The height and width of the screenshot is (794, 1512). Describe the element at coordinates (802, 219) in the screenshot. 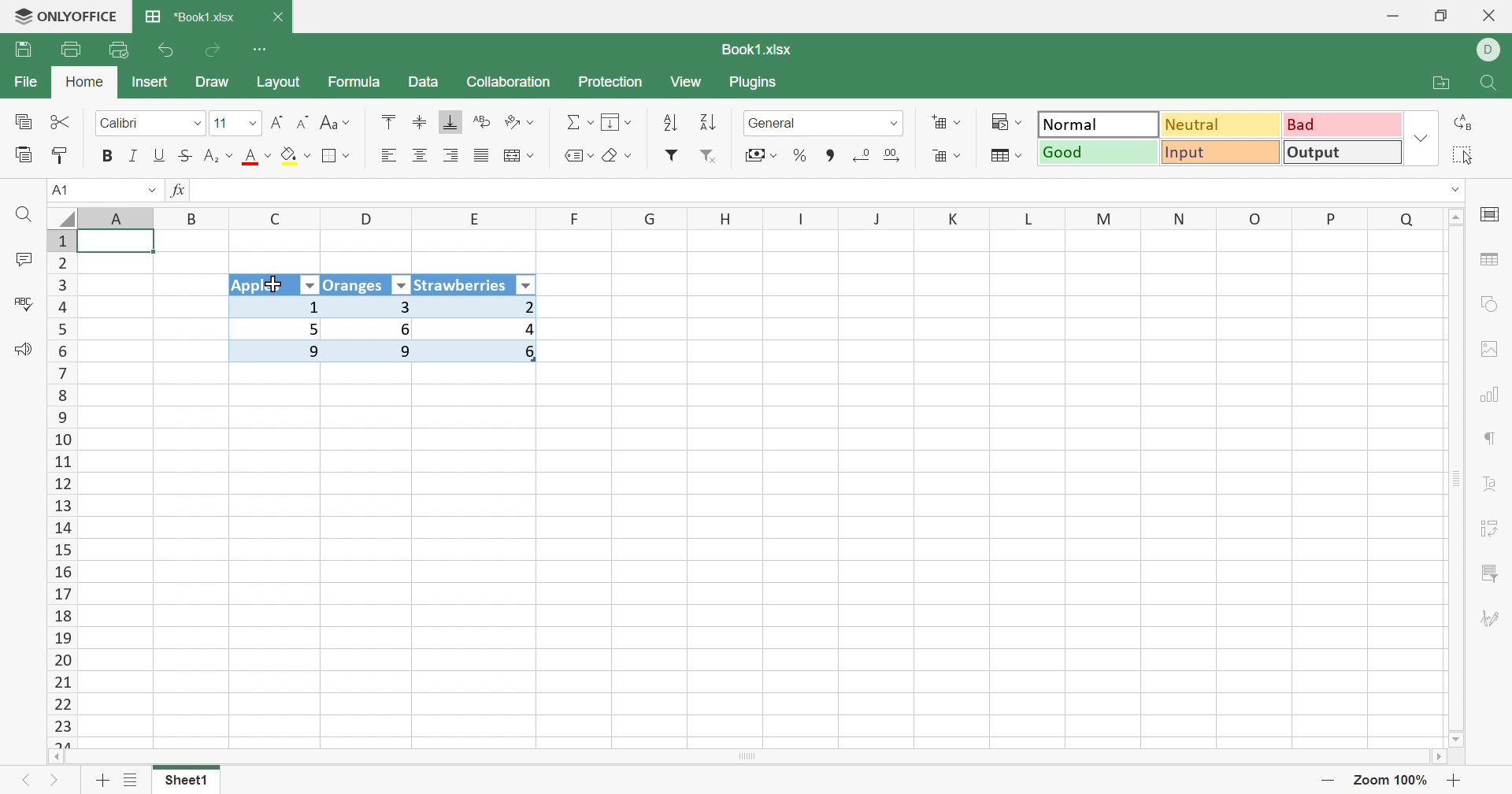

I see `I` at that location.